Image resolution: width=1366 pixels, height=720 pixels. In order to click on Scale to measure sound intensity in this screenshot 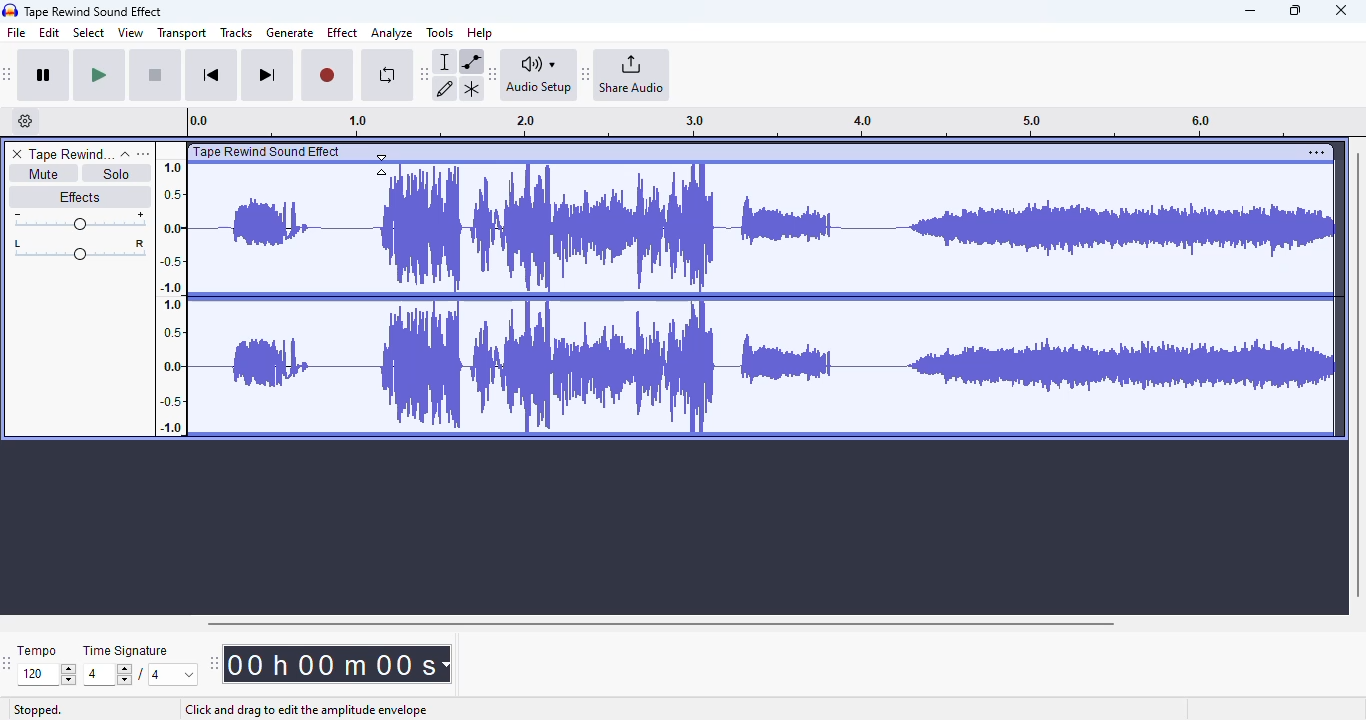, I will do `click(172, 296)`.